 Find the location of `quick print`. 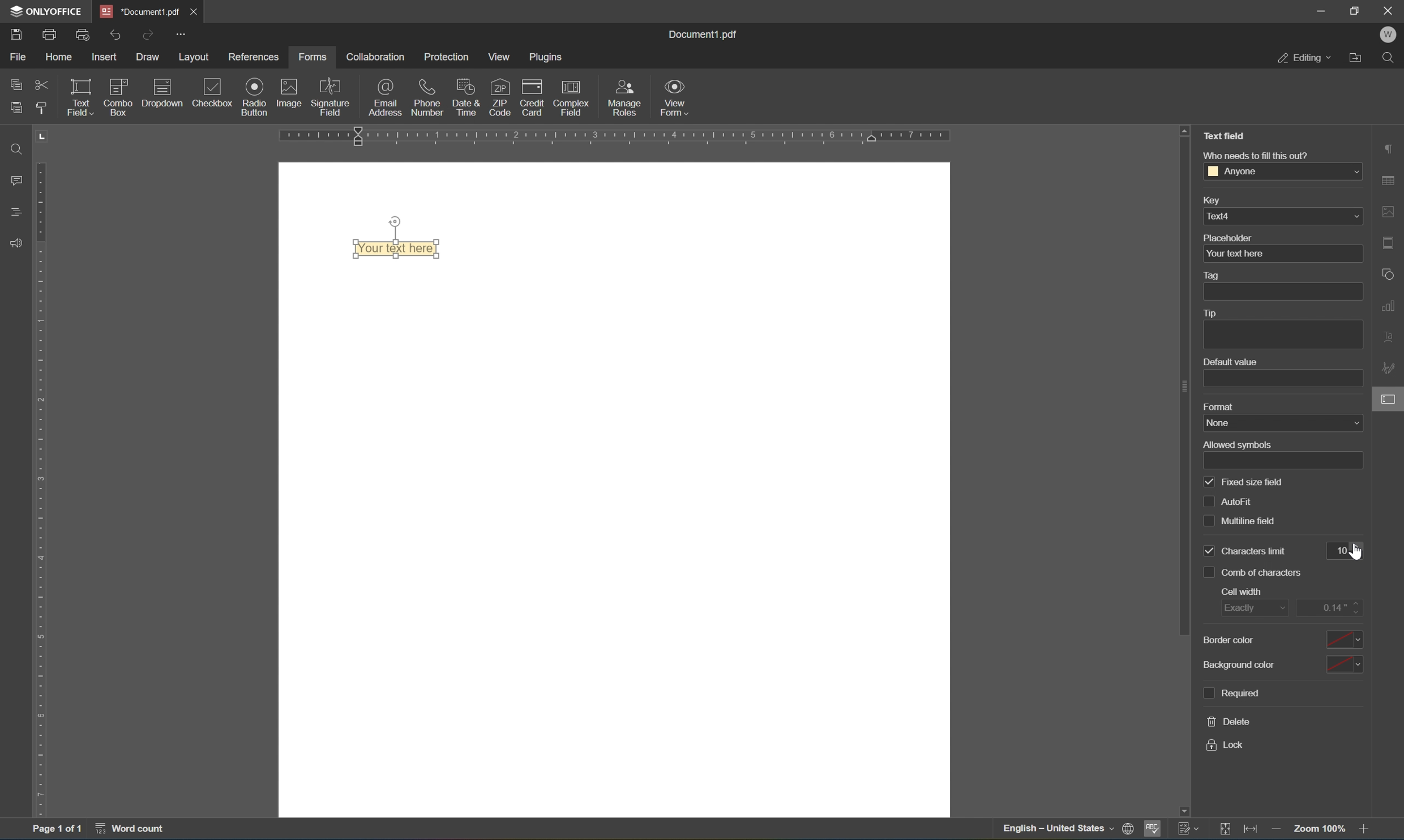

quick print is located at coordinates (81, 34).